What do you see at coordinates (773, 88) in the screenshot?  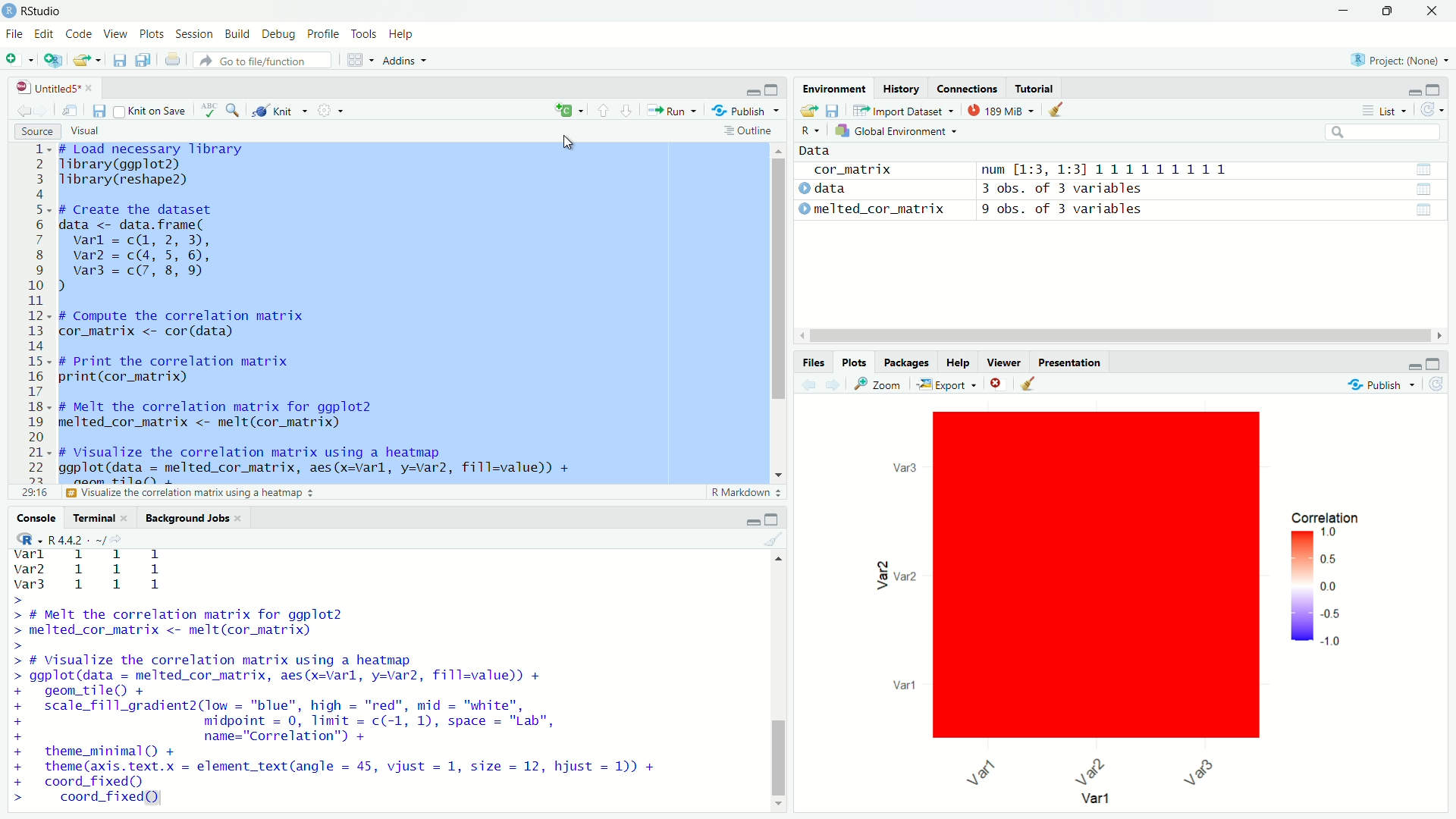 I see `maximize` at bounding box center [773, 88].